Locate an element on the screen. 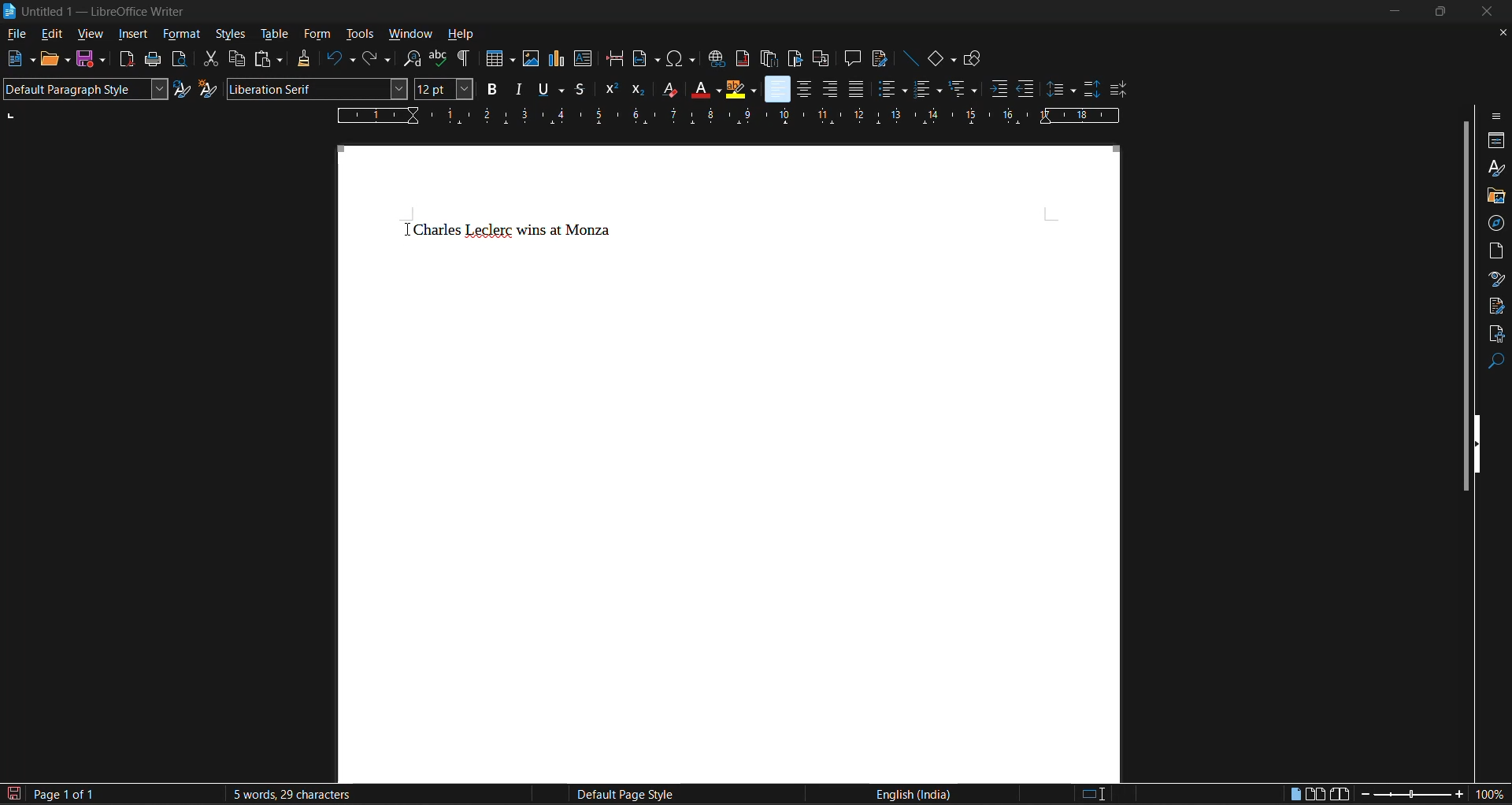 This screenshot has height=805, width=1512. decrease indent is located at coordinates (1028, 88).